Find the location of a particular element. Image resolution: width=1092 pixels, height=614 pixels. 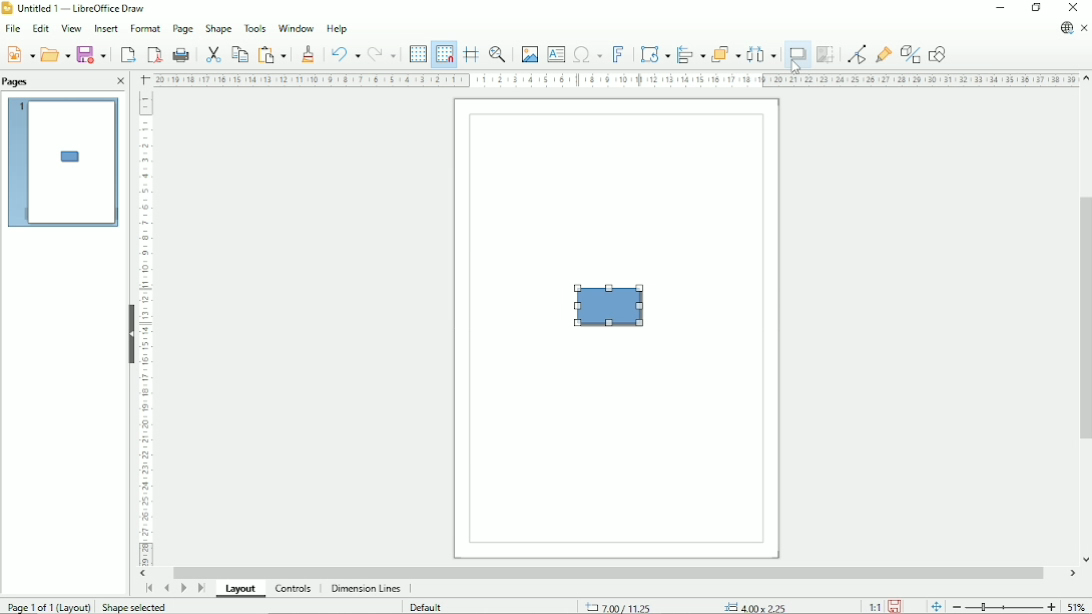

Insert is located at coordinates (106, 28).